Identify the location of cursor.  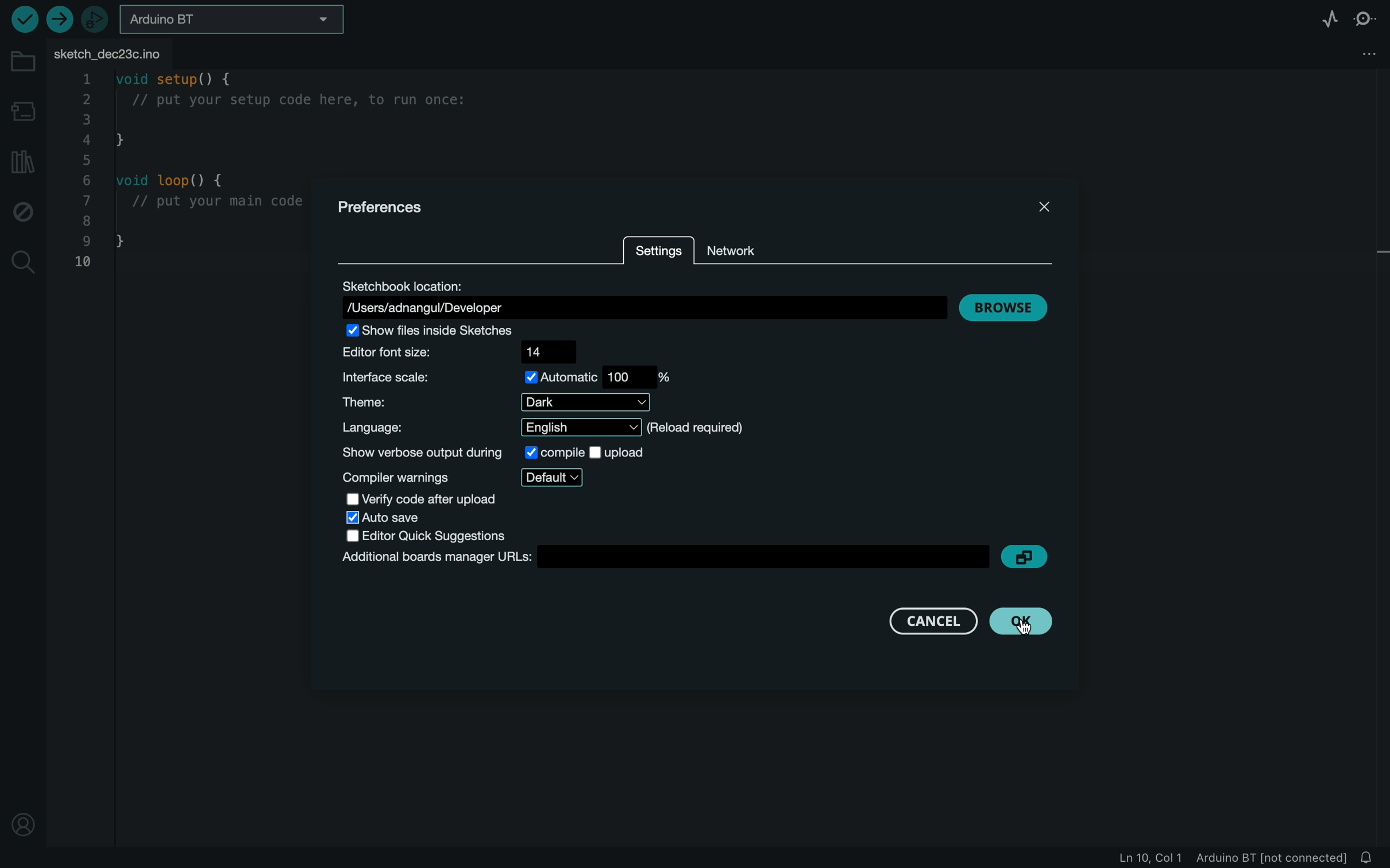
(1034, 627).